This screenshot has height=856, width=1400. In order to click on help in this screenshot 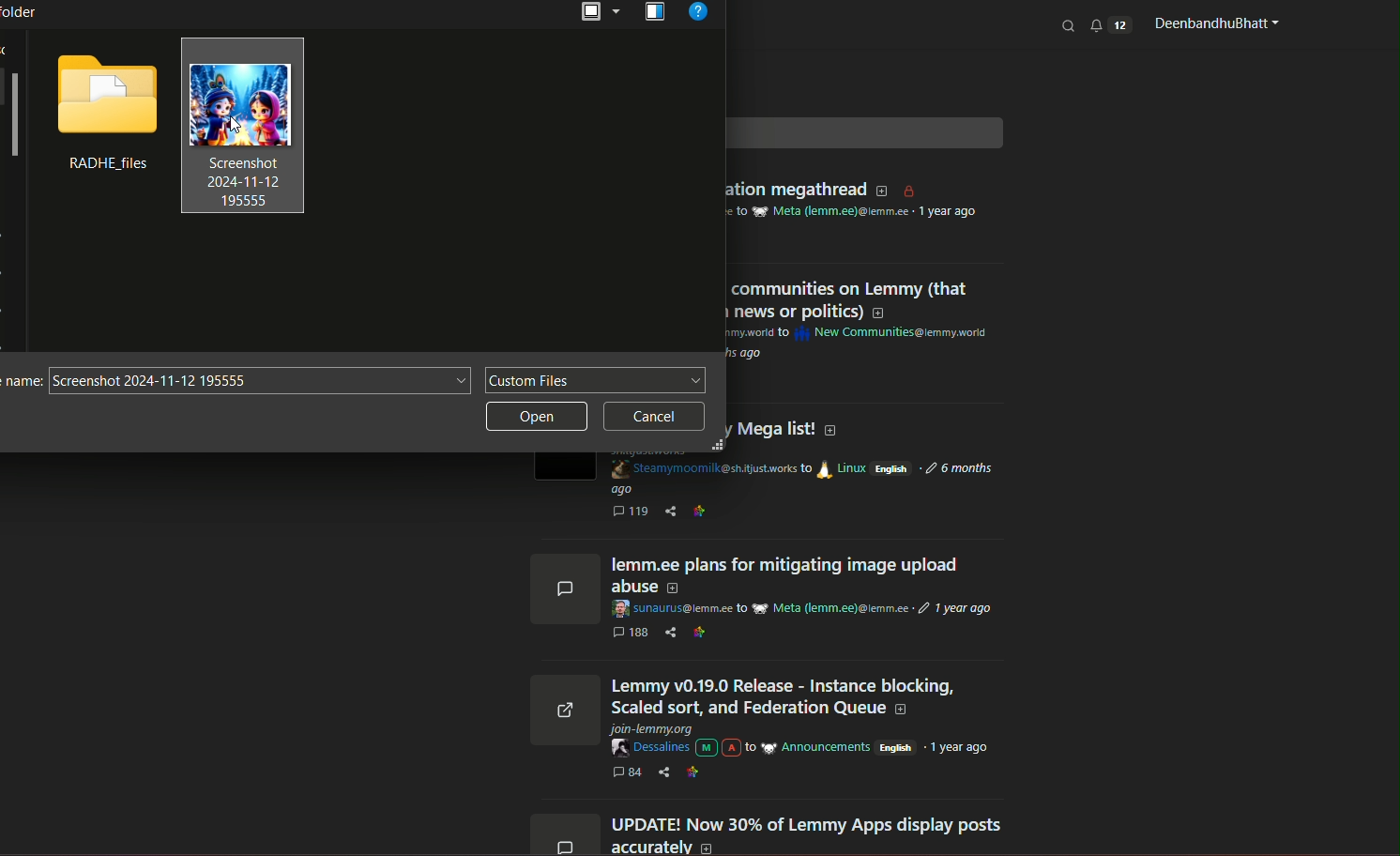, I will do `click(700, 15)`.